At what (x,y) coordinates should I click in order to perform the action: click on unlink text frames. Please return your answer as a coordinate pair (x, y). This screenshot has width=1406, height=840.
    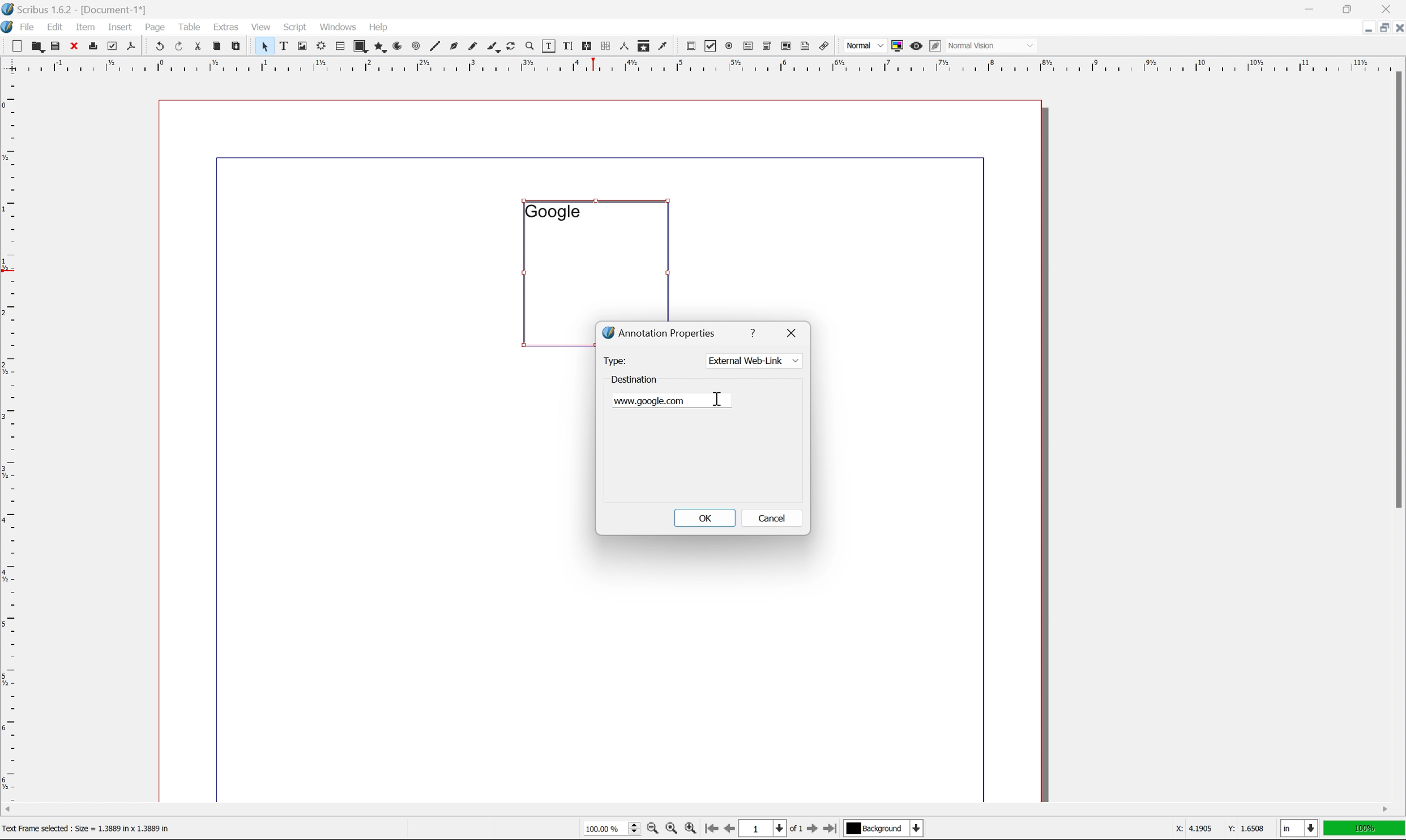
    Looking at the image, I should click on (604, 46).